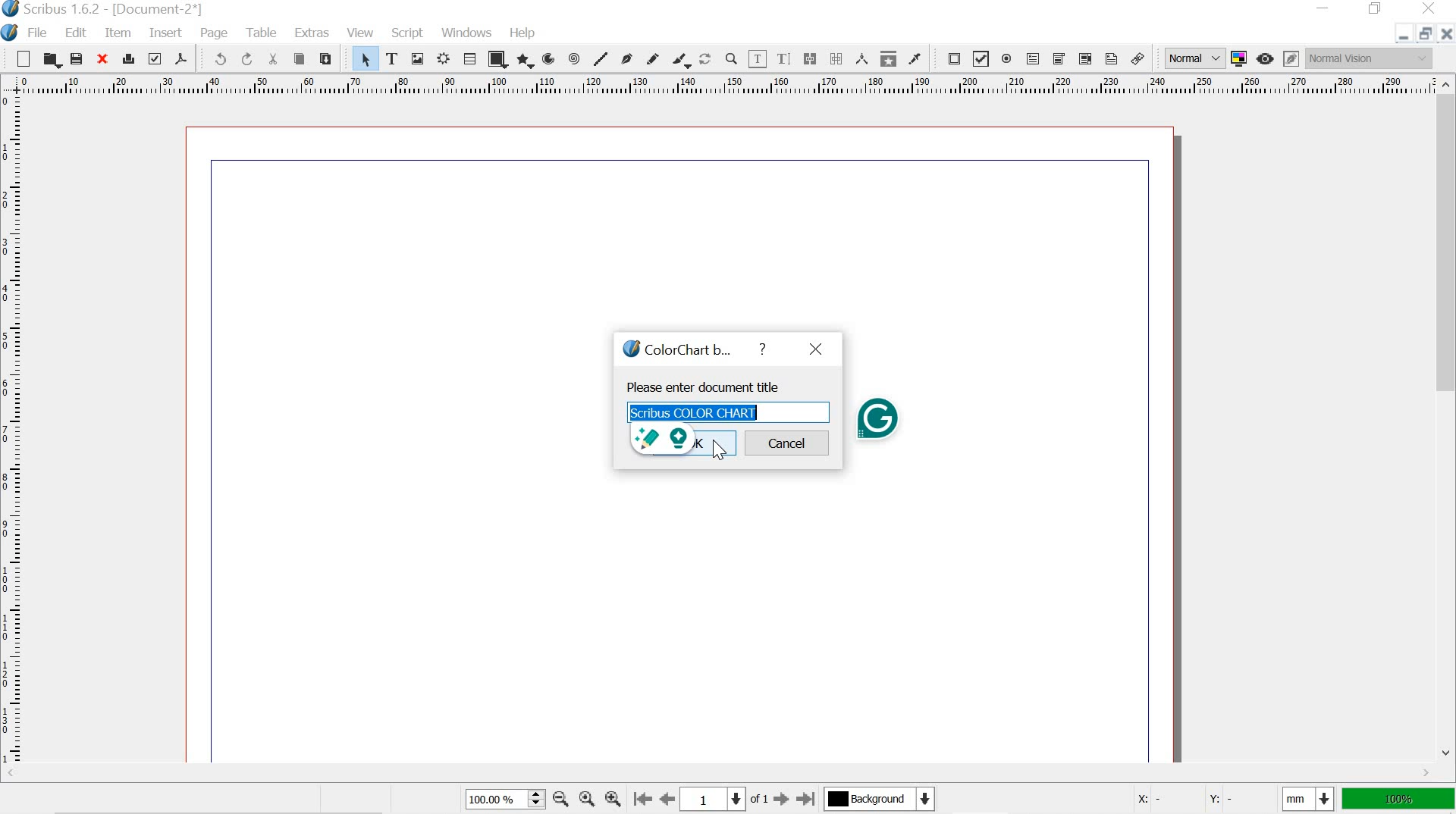 This screenshot has height=814, width=1456. I want to click on redo, so click(248, 59).